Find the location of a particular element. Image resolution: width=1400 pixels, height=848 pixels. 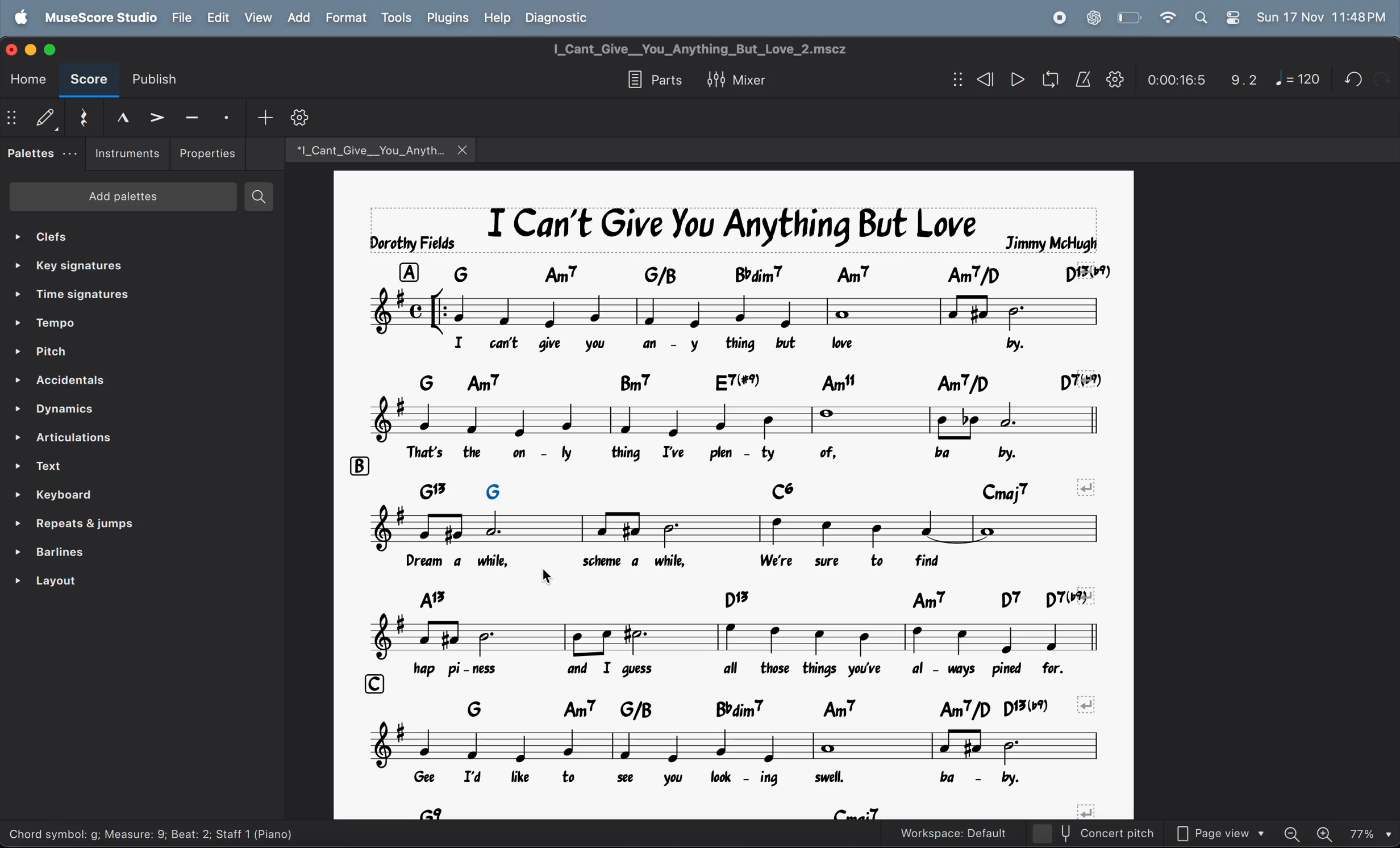

add palettes is located at coordinates (121, 197).